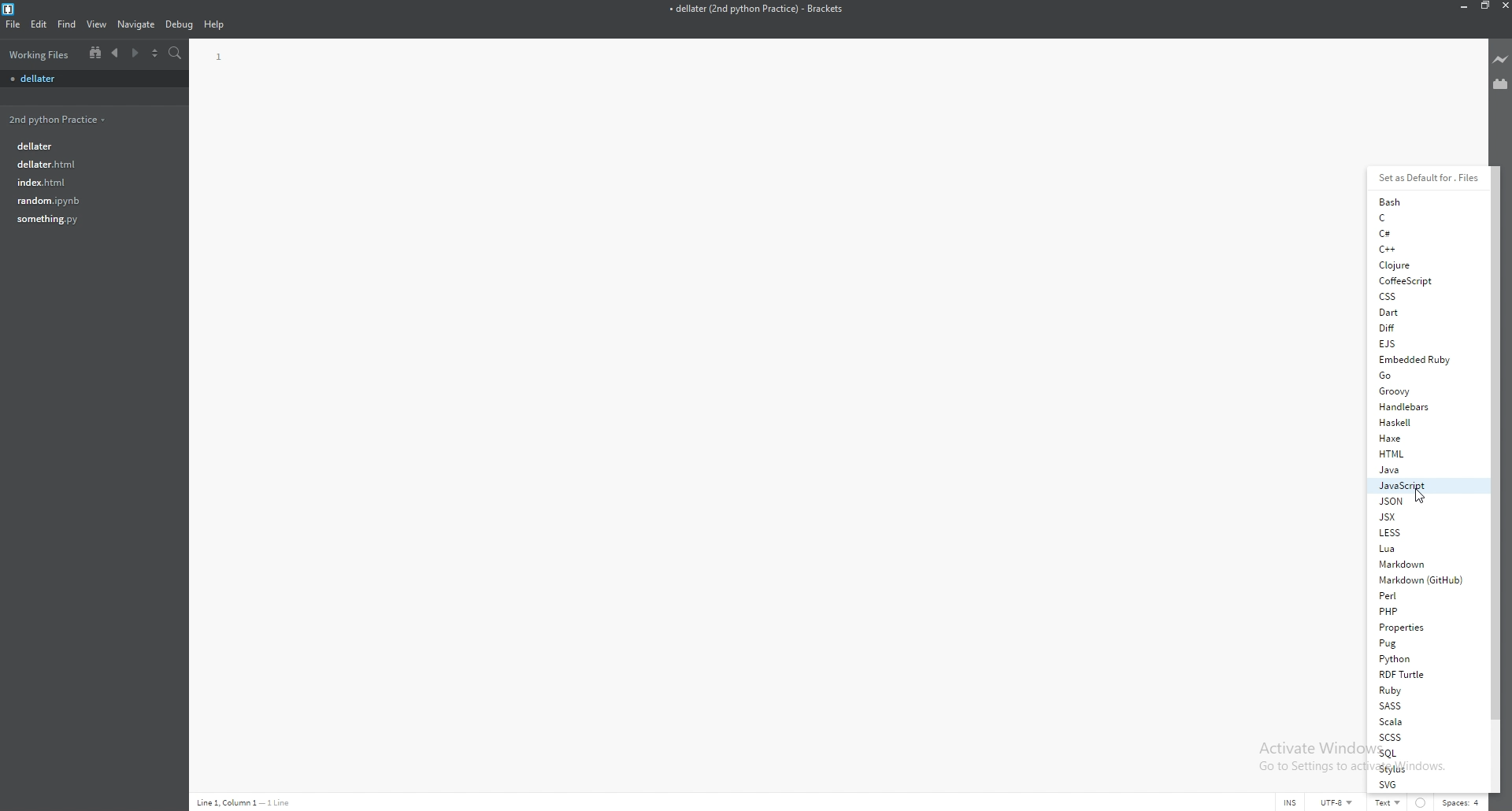 The width and height of the screenshot is (1512, 811). I want to click on tree view, so click(95, 54).